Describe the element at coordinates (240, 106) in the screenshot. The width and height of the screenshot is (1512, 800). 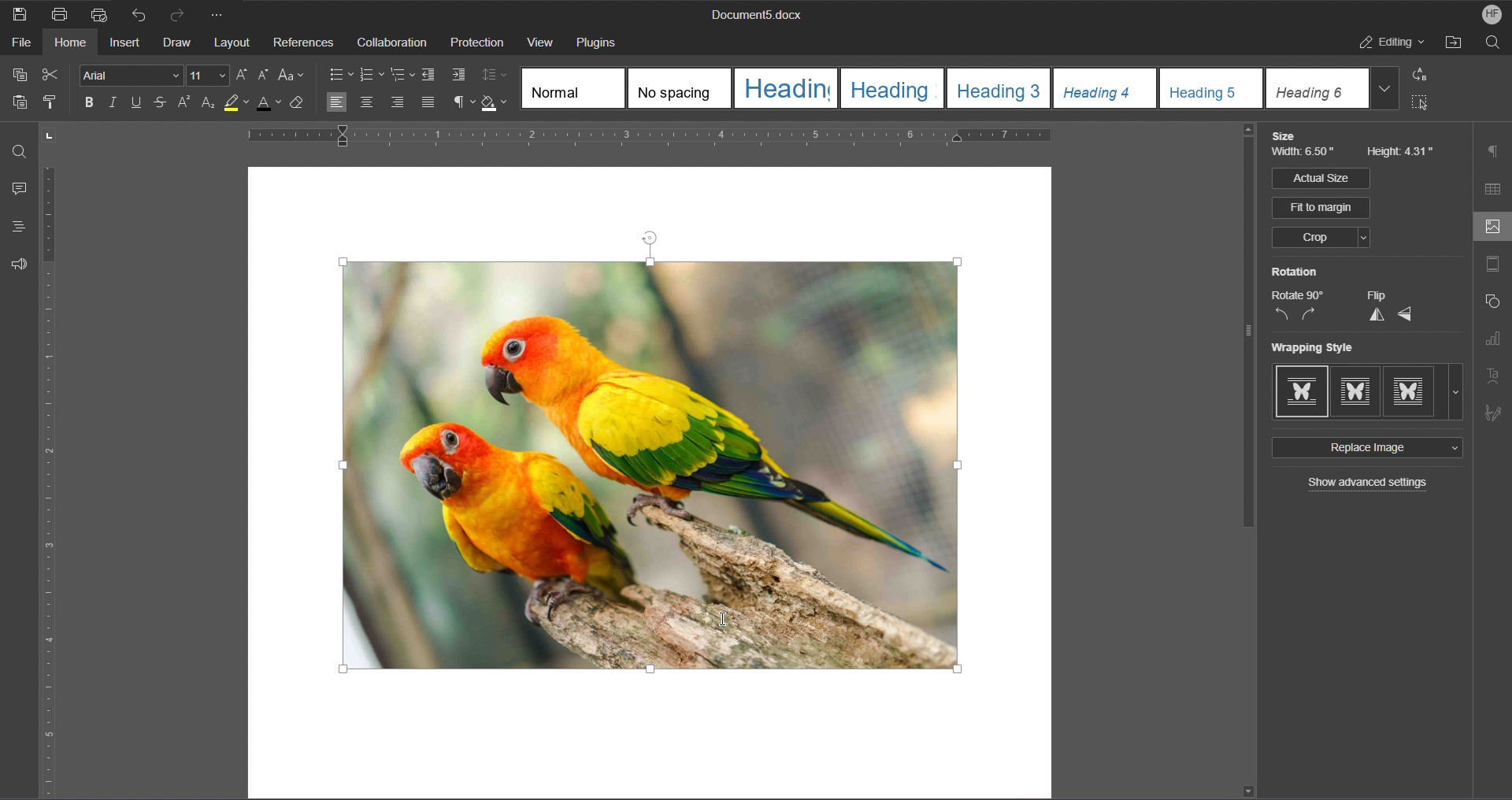
I see `Highlight` at that location.